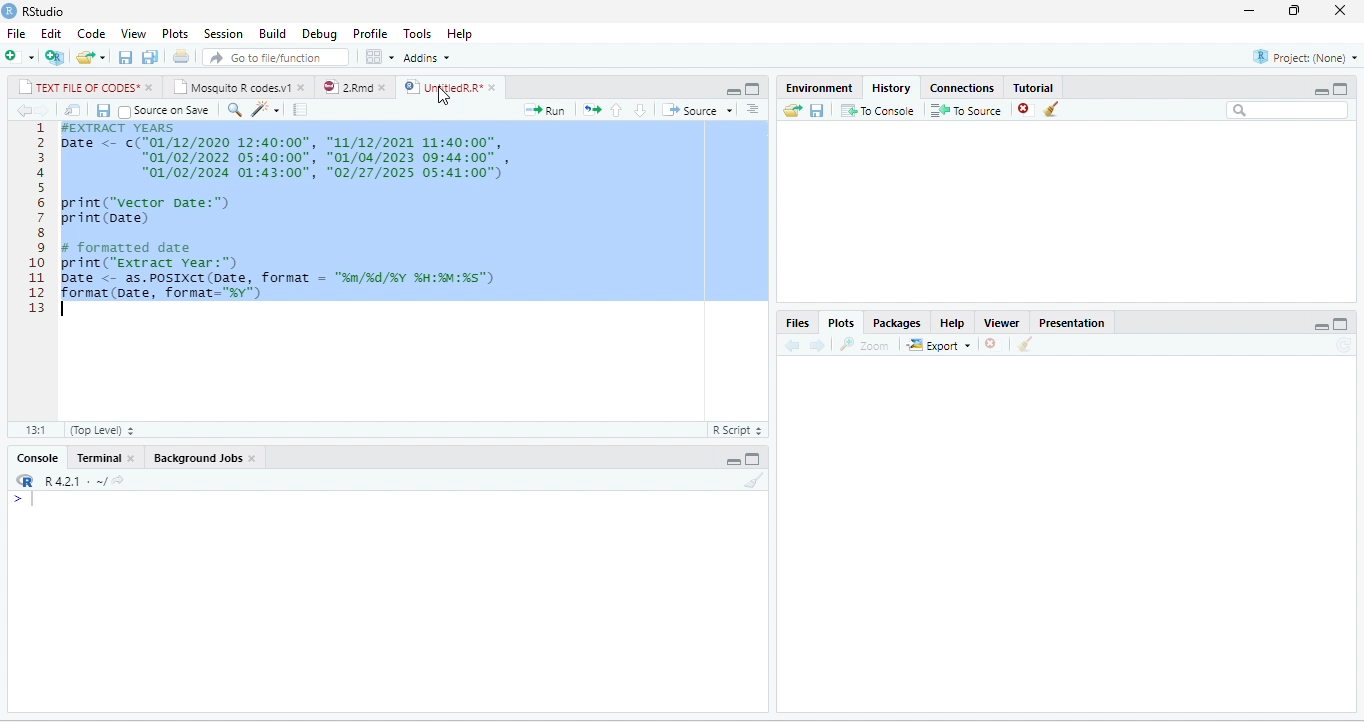 The height and width of the screenshot is (722, 1364). What do you see at coordinates (1001, 323) in the screenshot?
I see `Viewer` at bounding box center [1001, 323].